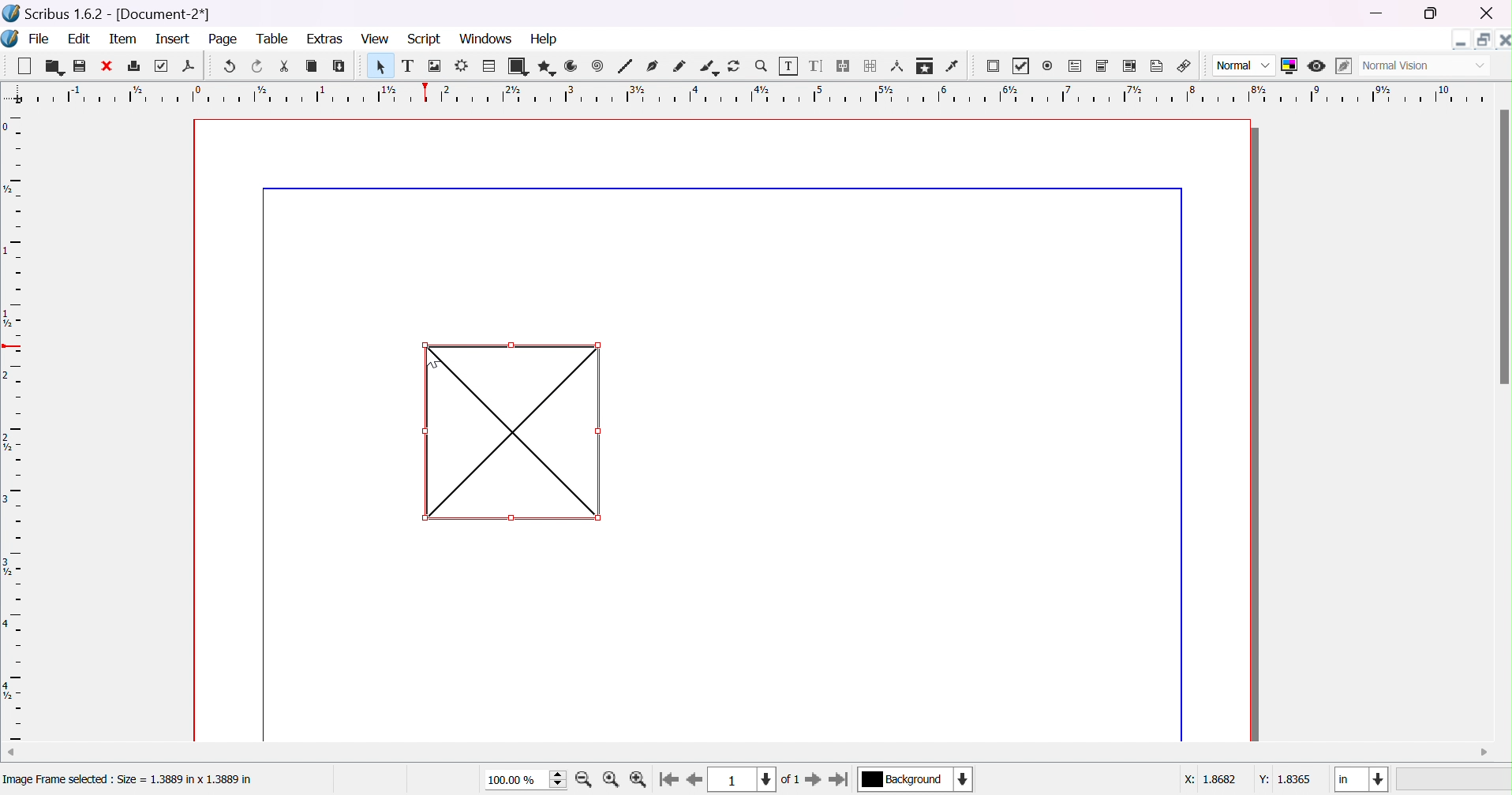 The image size is (1512, 795). I want to click on insert, so click(175, 39).